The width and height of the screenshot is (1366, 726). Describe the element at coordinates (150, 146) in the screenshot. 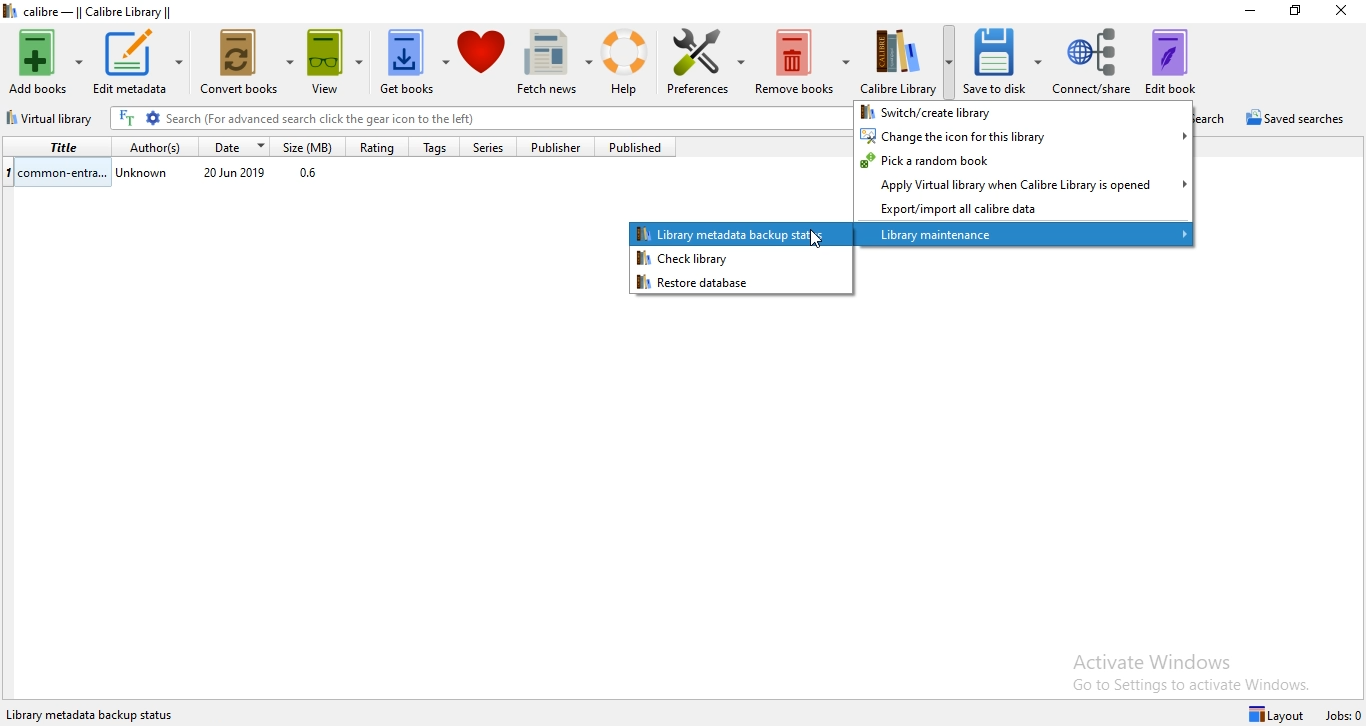

I see `Author(s)` at that location.